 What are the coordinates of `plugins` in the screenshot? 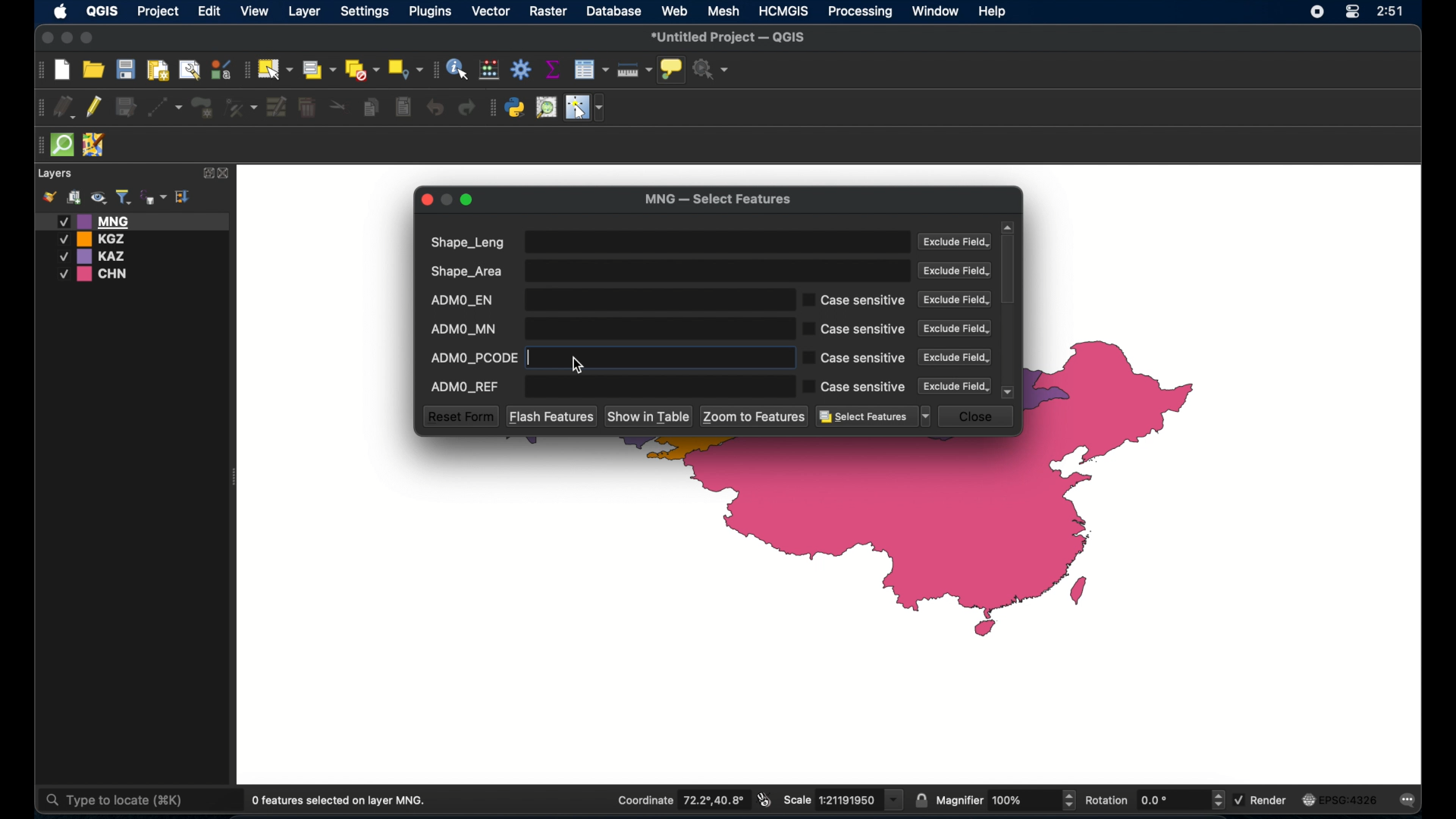 It's located at (431, 11).